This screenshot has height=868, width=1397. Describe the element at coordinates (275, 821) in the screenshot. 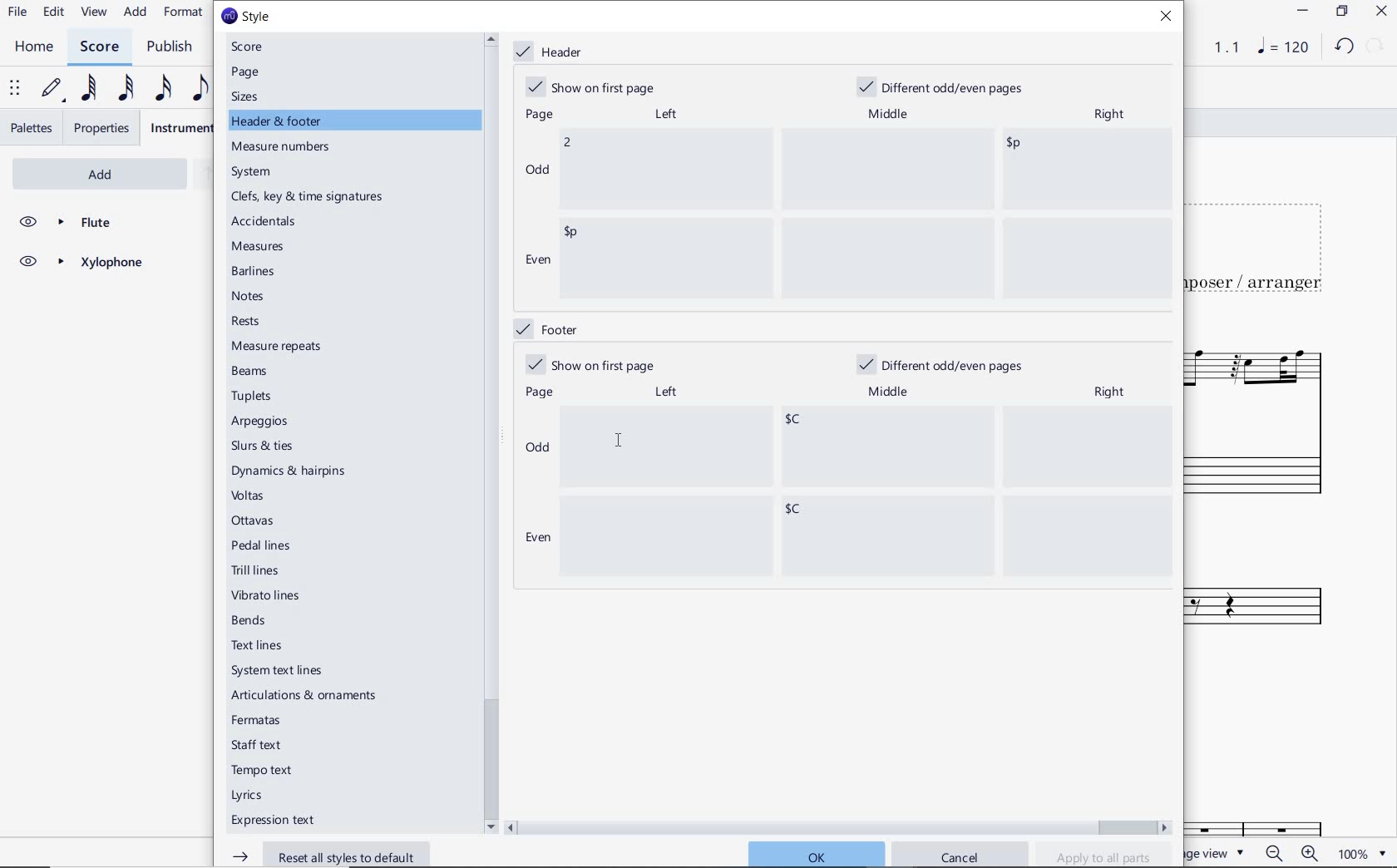

I see `expression text` at that location.